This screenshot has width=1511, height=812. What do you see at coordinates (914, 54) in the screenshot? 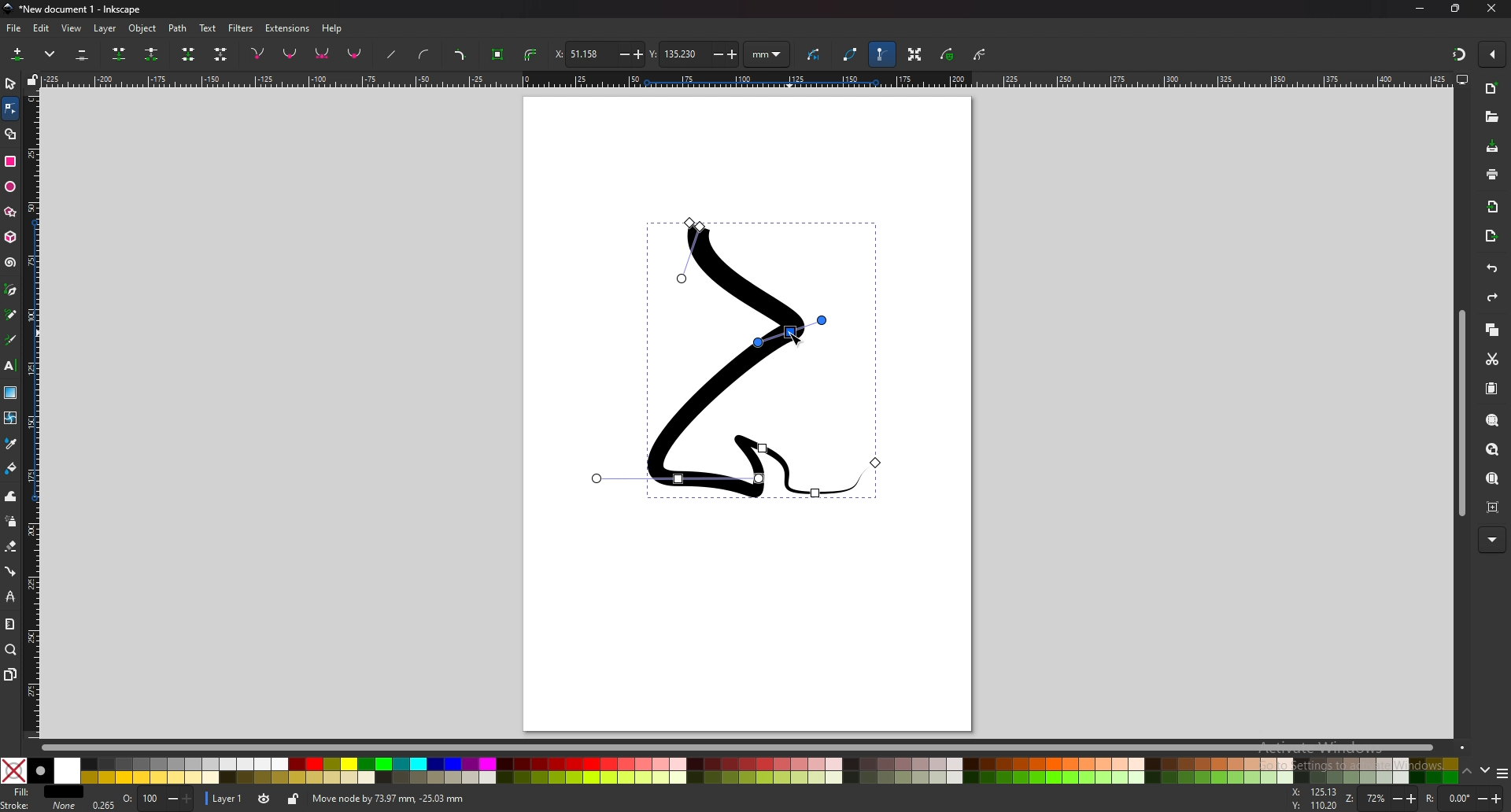
I see `show transformation handles` at bounding box center [914, 54].